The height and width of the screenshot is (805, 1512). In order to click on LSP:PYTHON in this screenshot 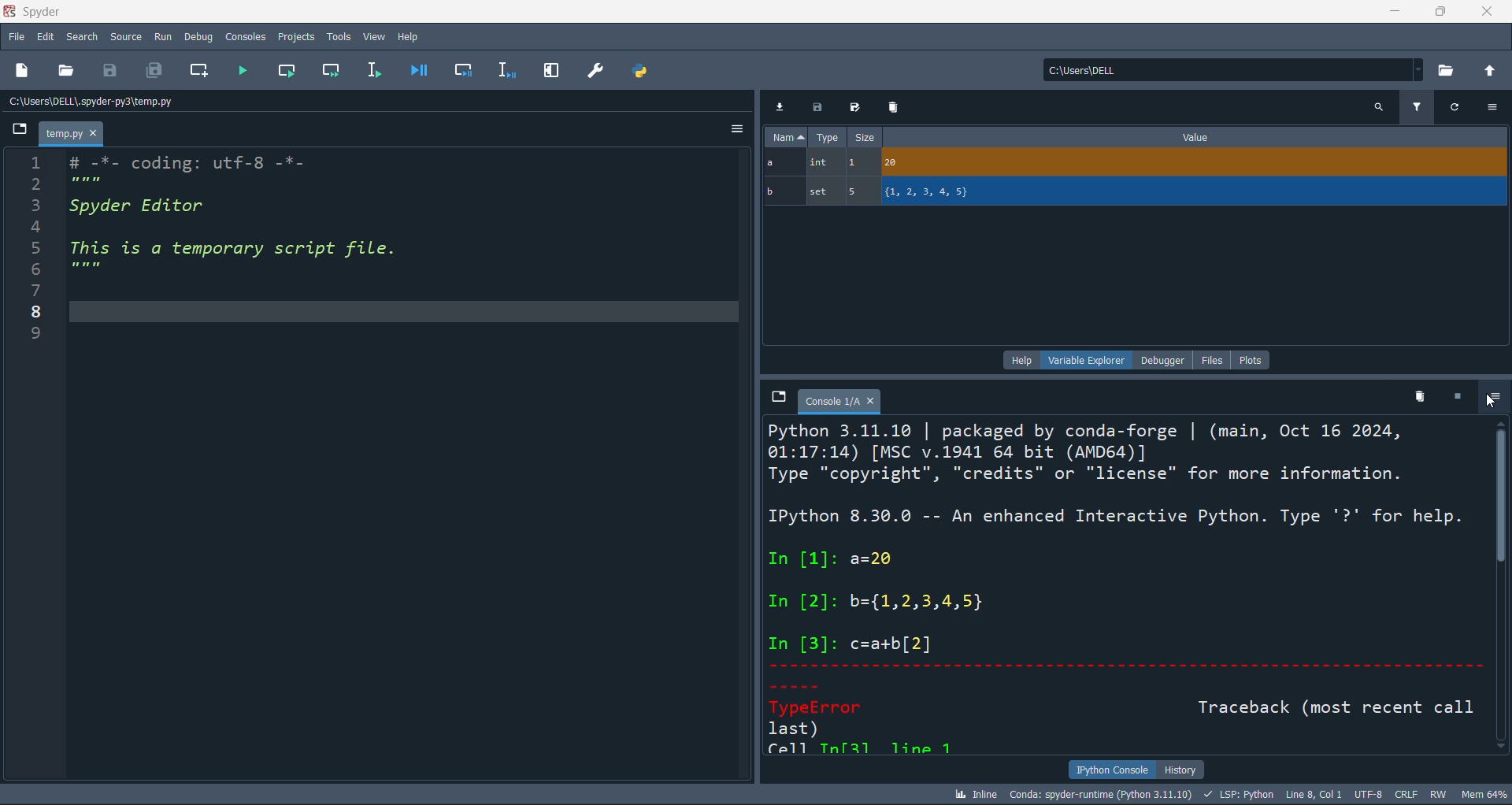, I will do `click(1236, 795)`.